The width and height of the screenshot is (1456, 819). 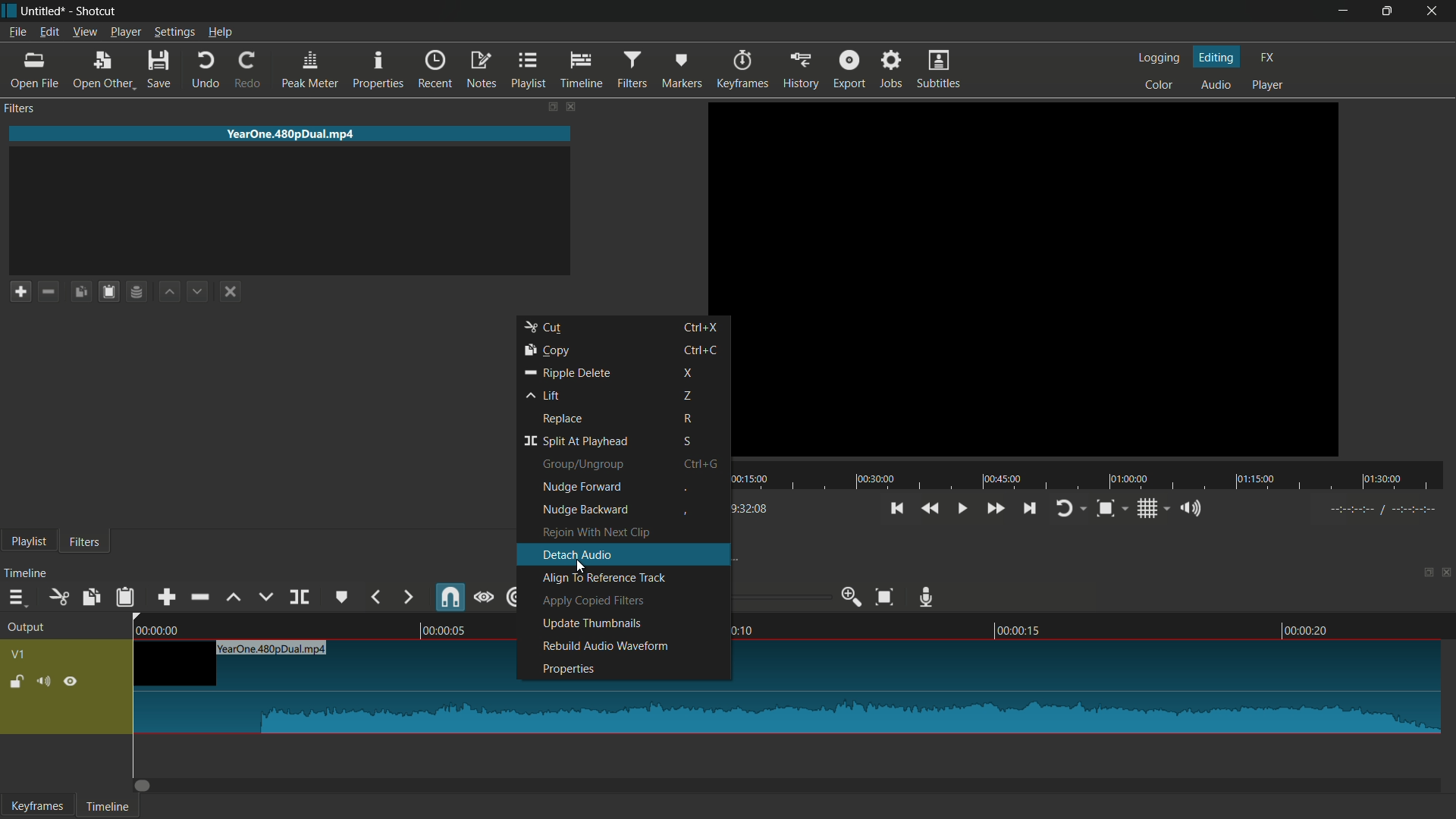 What do you see at coordinates (582, 488) in the screenshot?
I see `nudge forward` at bounding box center [582, 488].